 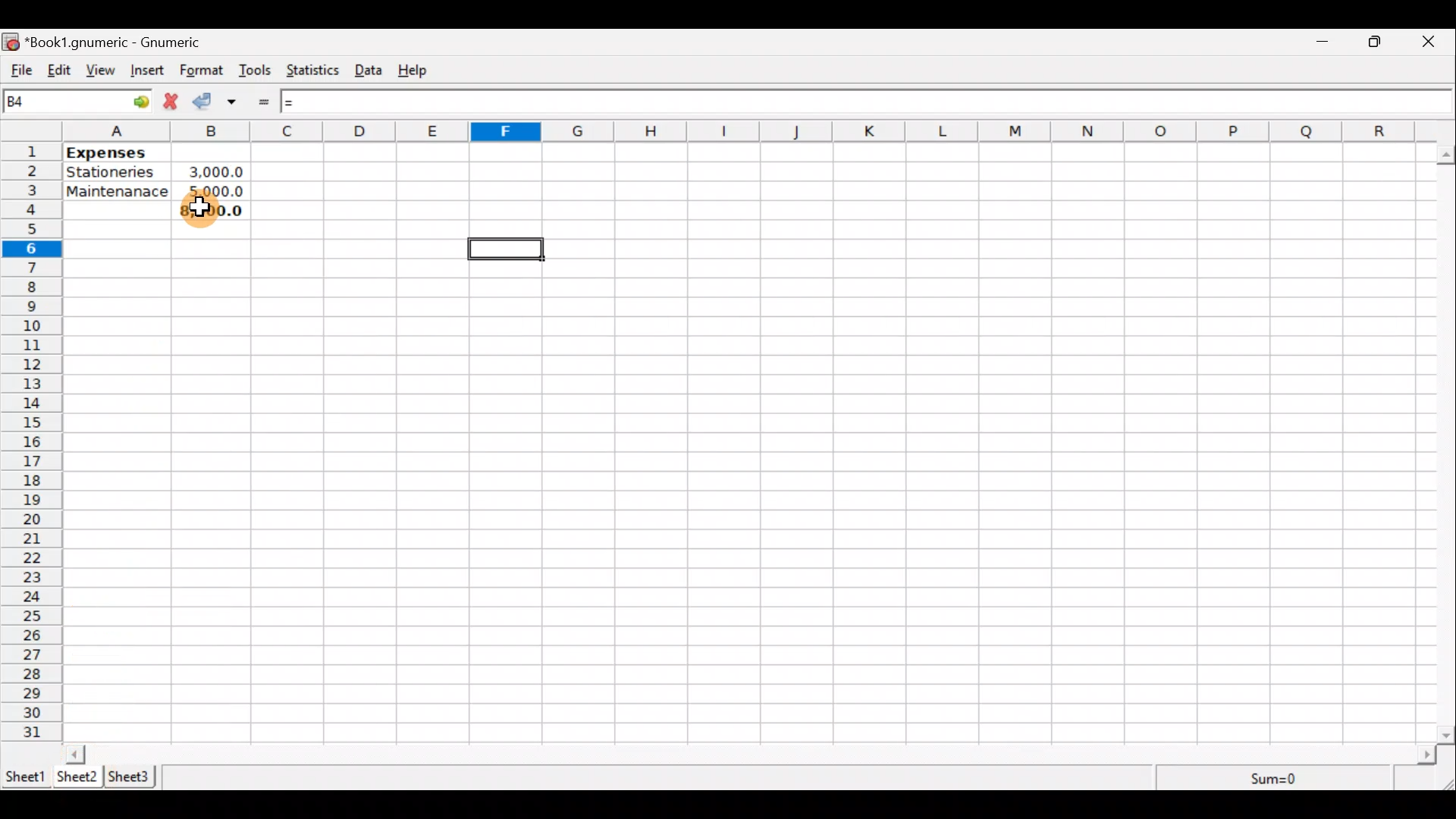 I want to click on Stationeries, so click(x=120, y=173).